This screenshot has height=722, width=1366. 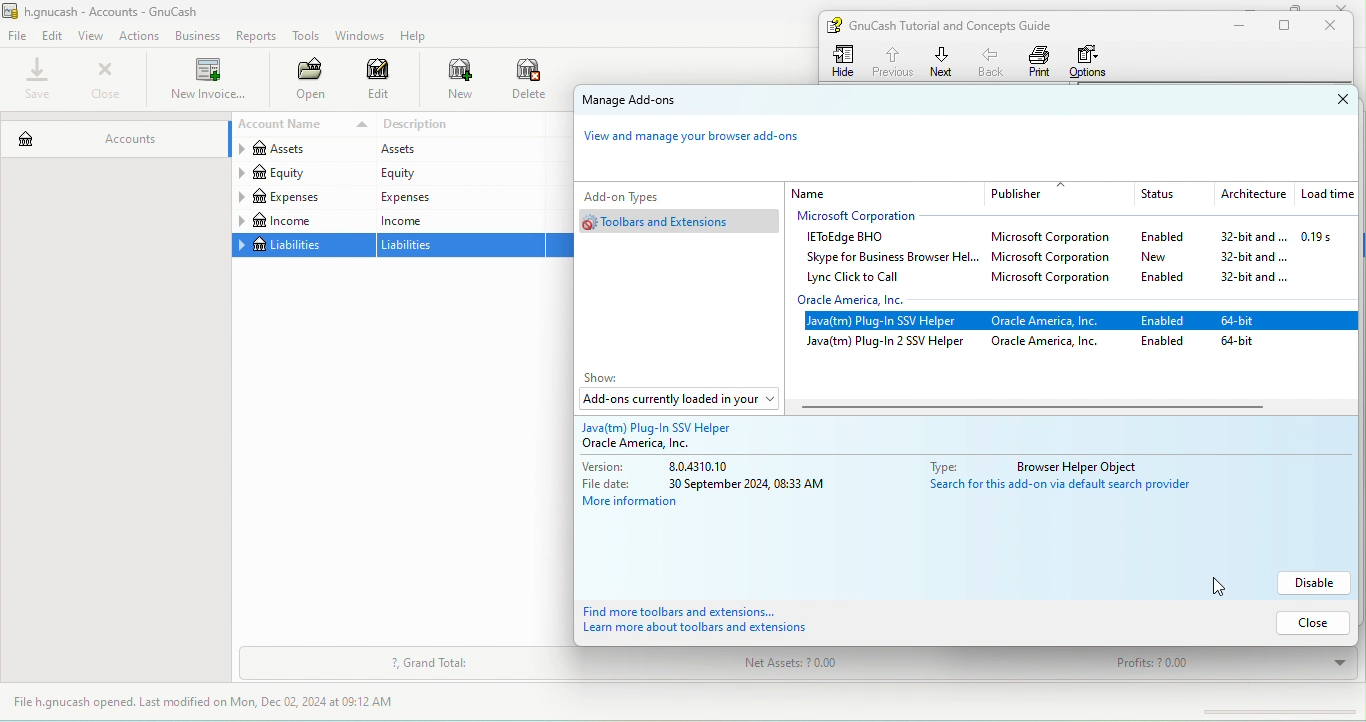 What do you see at coordinates (1168, 195) in the screenshot?
I see `status` at bounding box center [1168, 195].